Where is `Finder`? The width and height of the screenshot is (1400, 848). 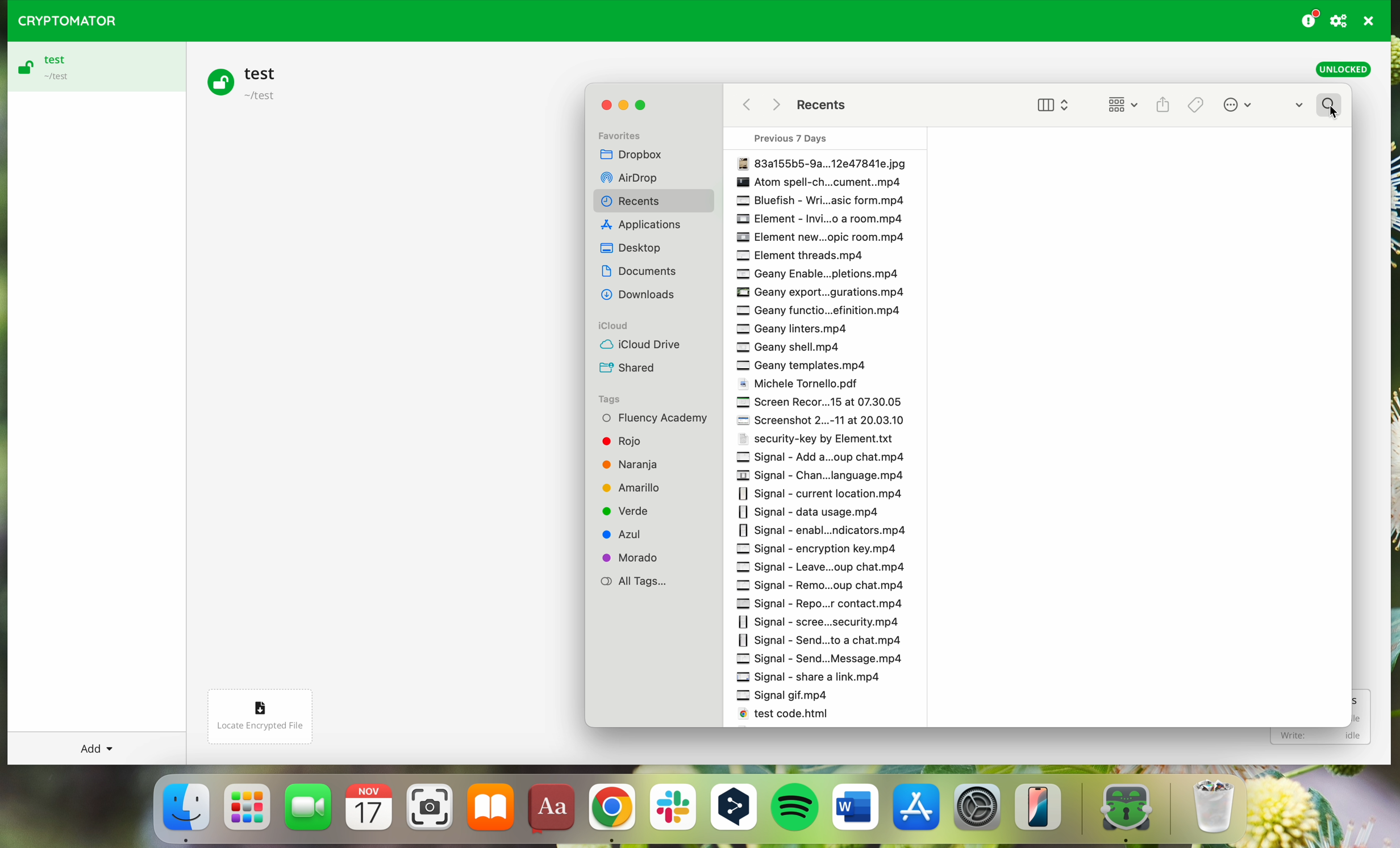
Finder is located at coordinates (185, 812).